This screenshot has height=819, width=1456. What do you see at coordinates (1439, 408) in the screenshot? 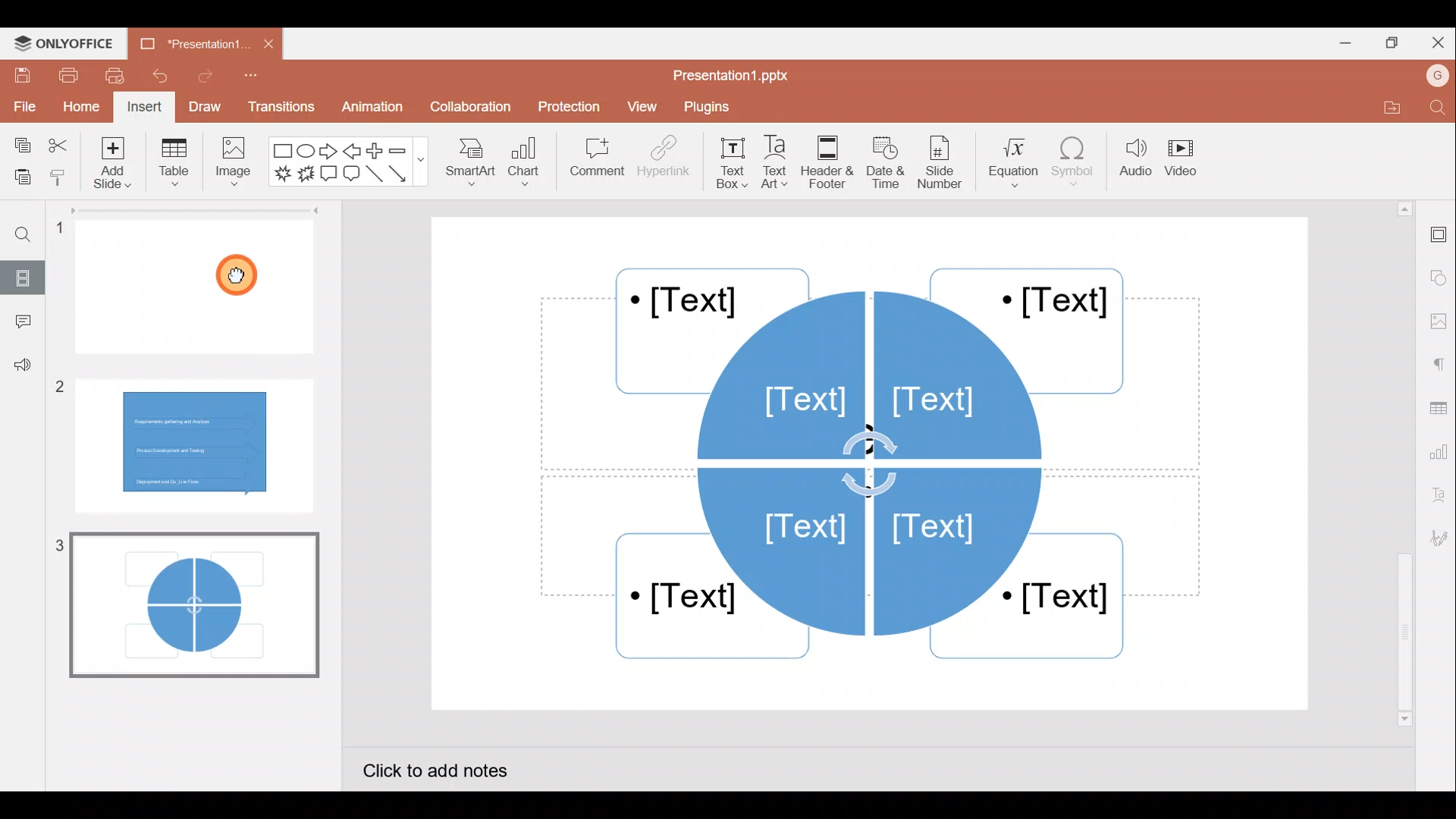
I see `Table settings` at bounding box center [1439, 408].